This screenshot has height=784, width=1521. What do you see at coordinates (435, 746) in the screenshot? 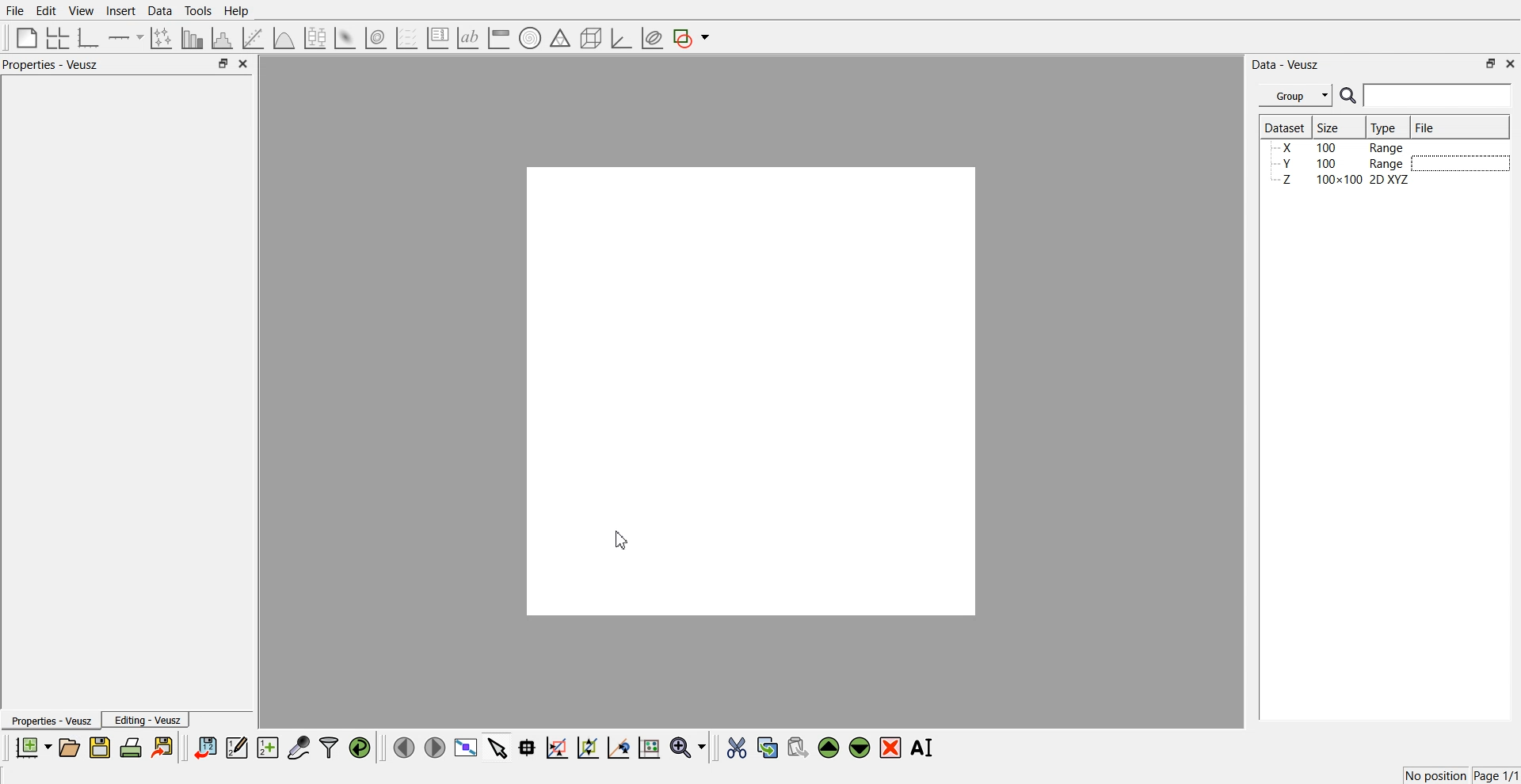
I see `Move to the next page` at bounding box center [435, 746].